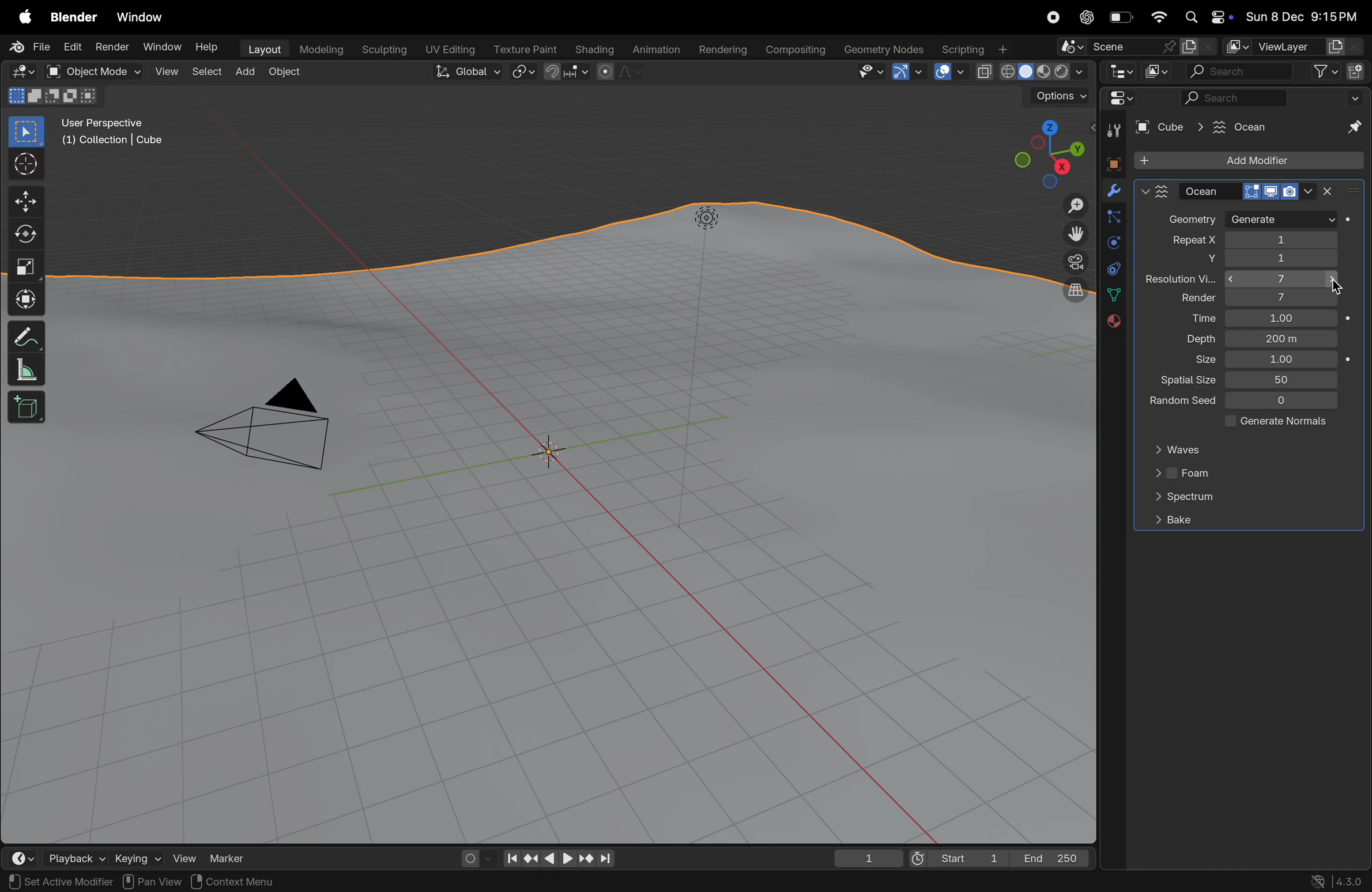  What do you see at coordinates (1338, 880) in the screenshot?
I see `version` at bounding box center [1338, 880].